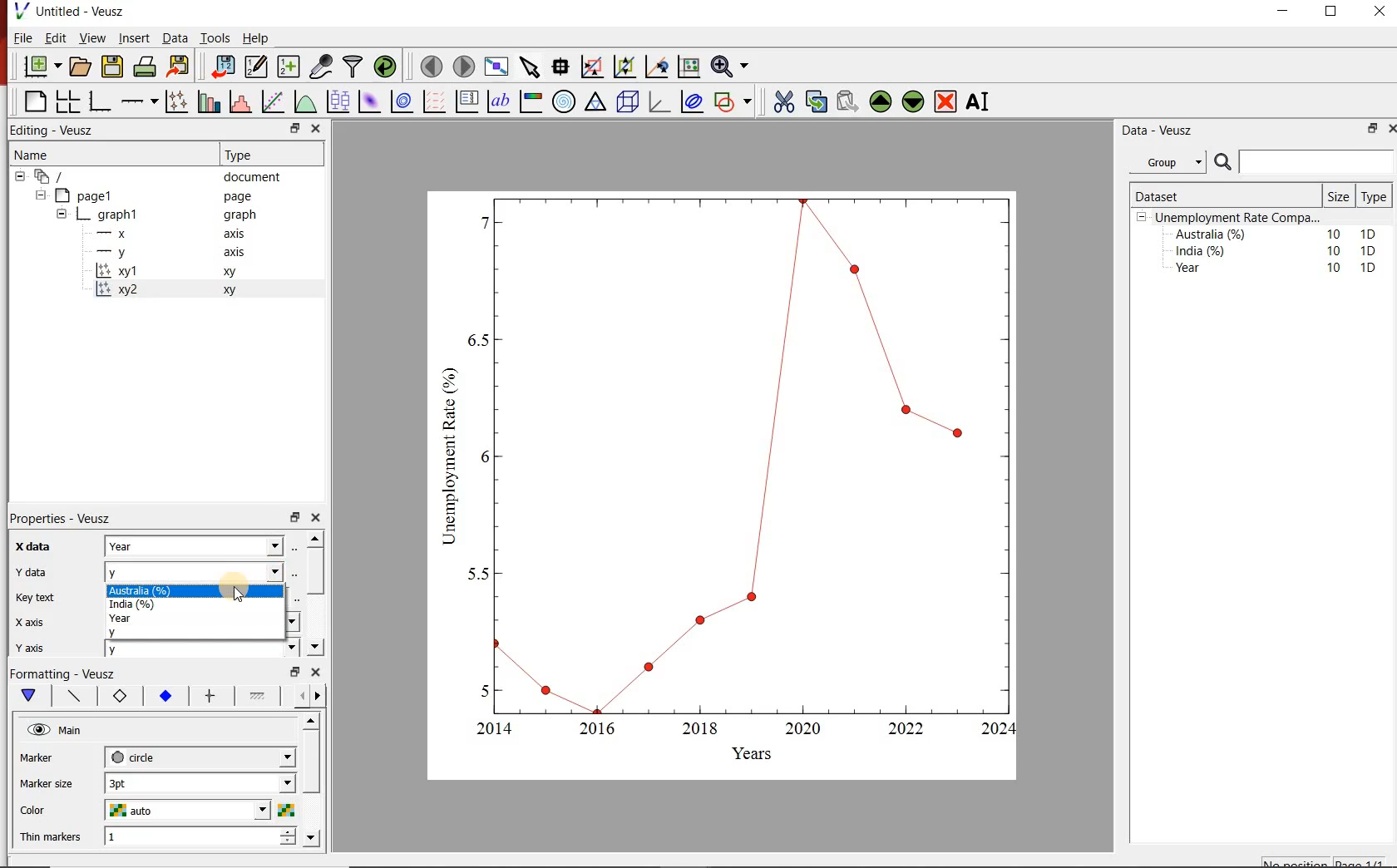 The height and width of the screenshot is (868, 1397). Describe the element at coordinates (101, 101) in the screenshot. I see `base graphs` at that location.